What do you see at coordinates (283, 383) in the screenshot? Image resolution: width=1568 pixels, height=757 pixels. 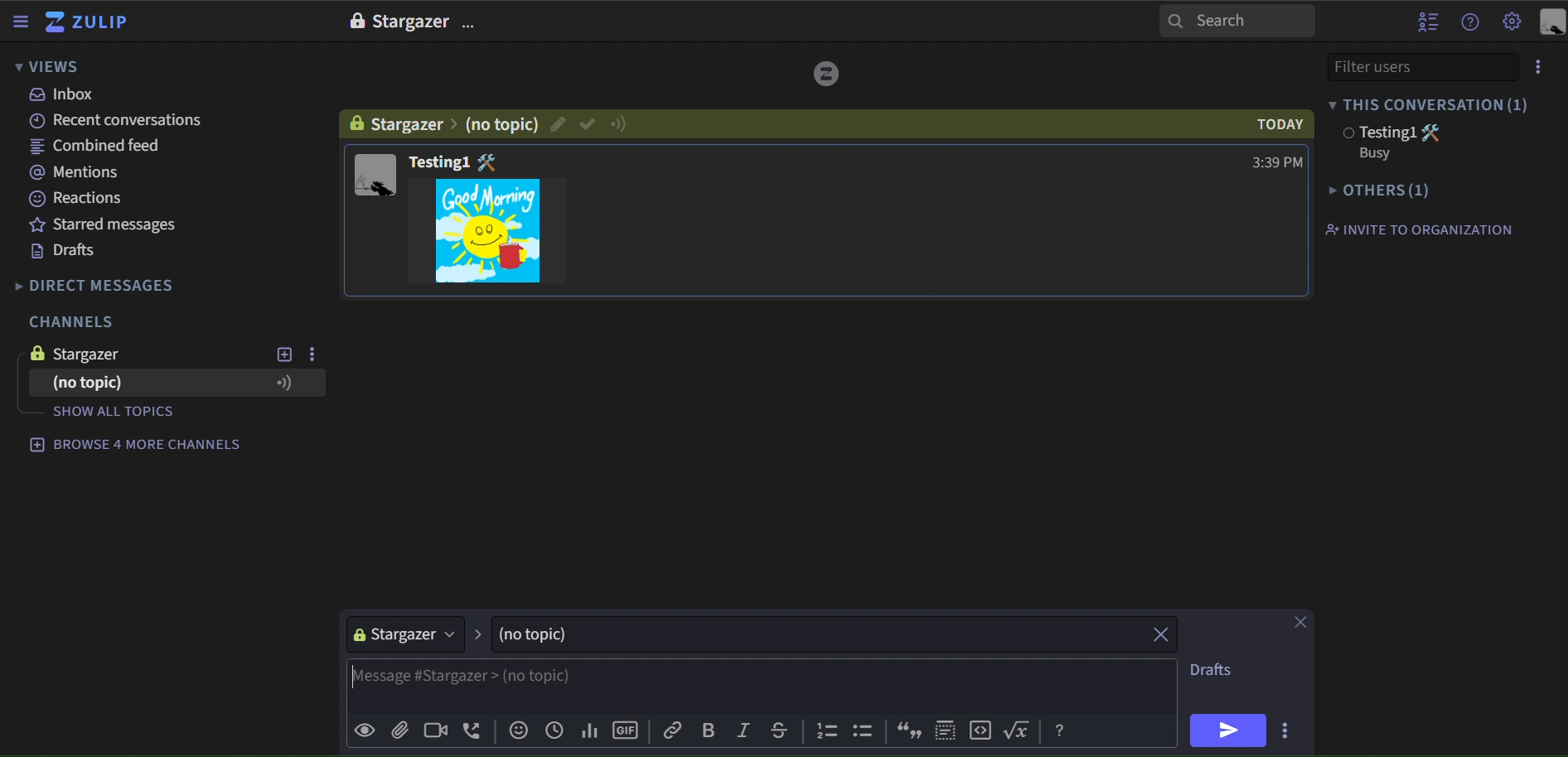 I see `icon` at bounding box center [283, 383].